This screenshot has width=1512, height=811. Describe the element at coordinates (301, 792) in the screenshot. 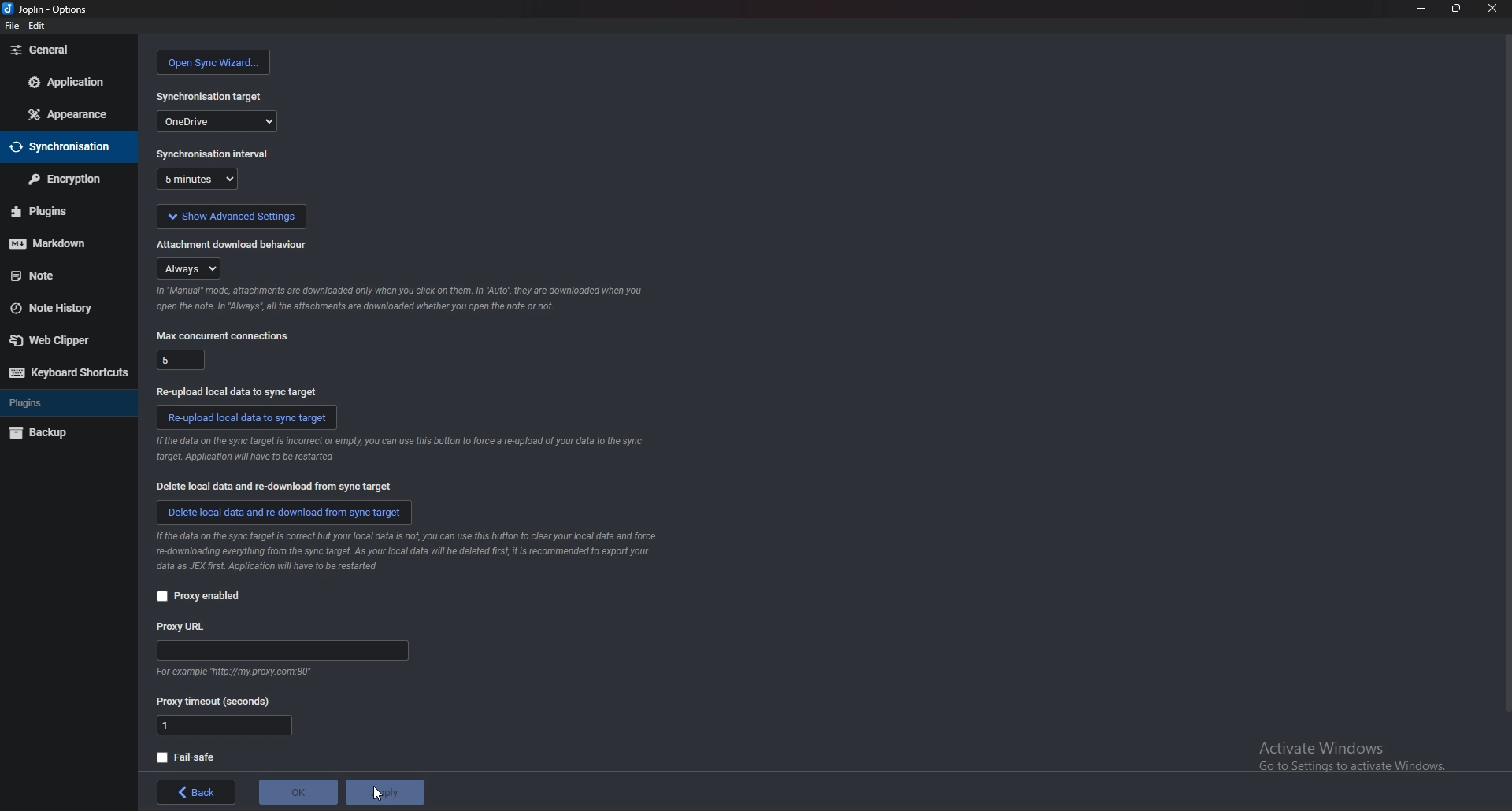

I see `ok` at that location.